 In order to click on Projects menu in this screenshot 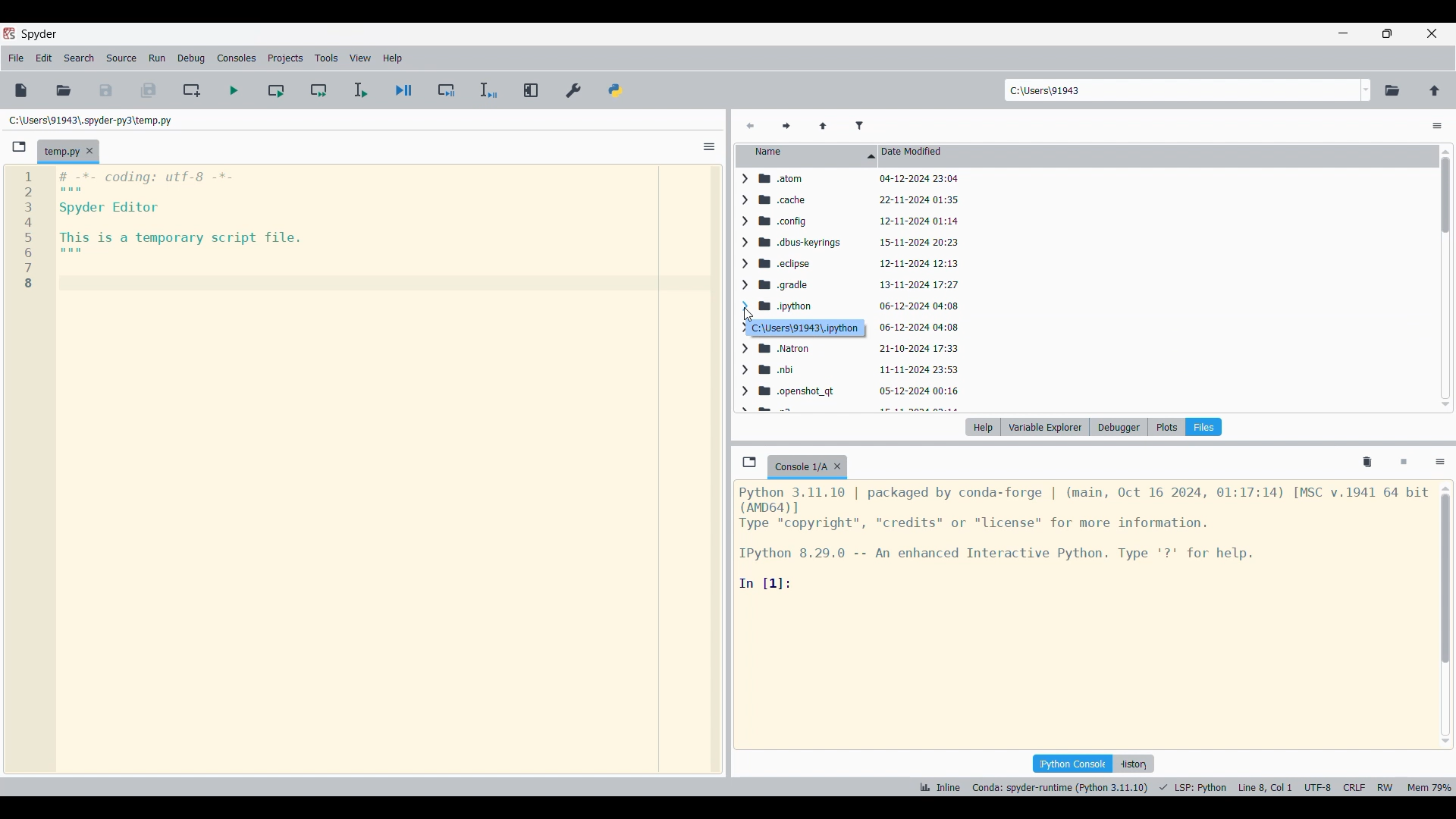, I will do `click(285, 58)`.